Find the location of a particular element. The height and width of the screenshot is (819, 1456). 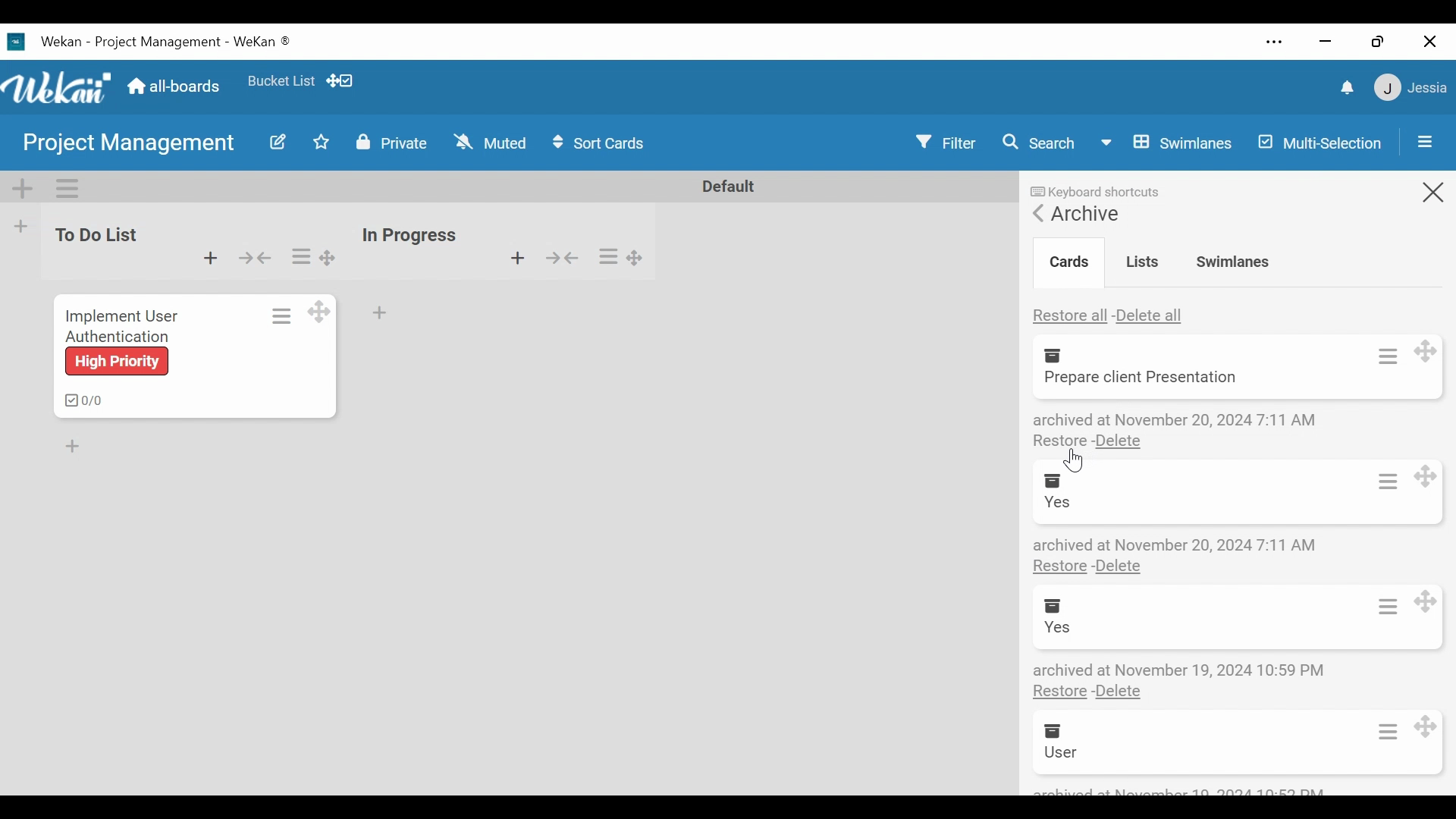

Delete is located at coordinates (1119, 443).